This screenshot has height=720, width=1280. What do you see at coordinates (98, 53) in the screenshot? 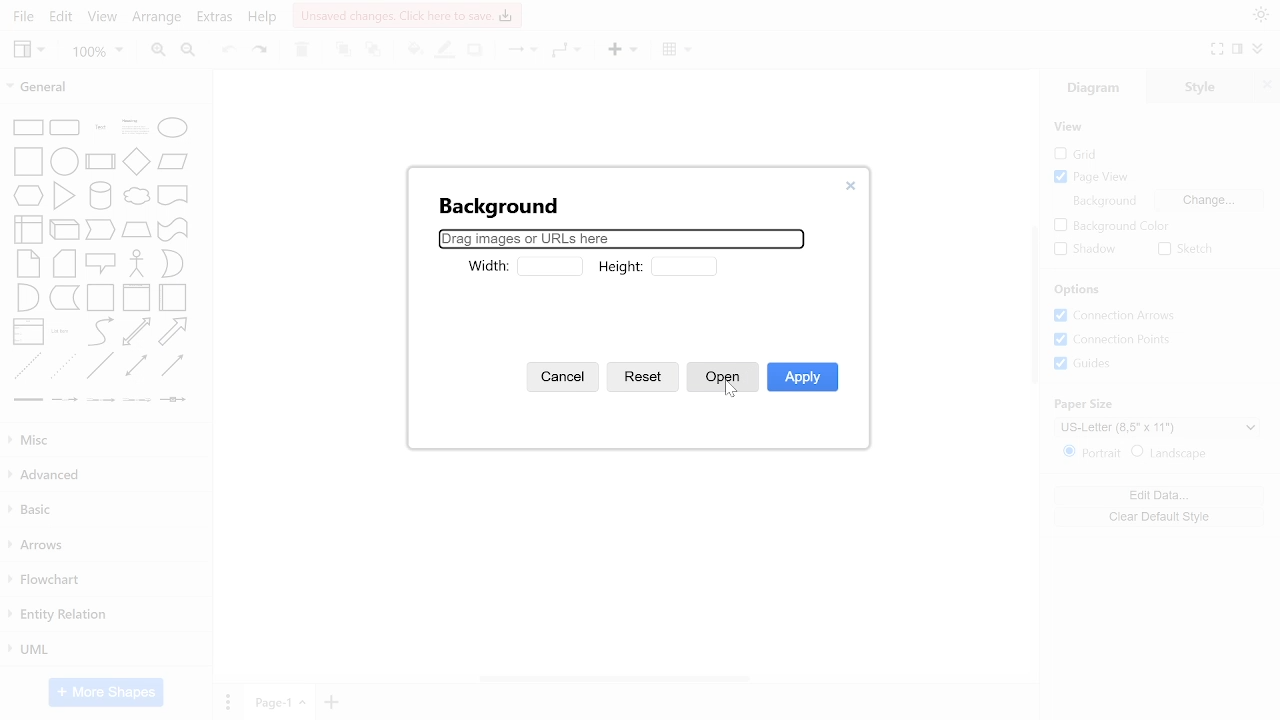
I see `zoom` at bounding box center [98, 53].